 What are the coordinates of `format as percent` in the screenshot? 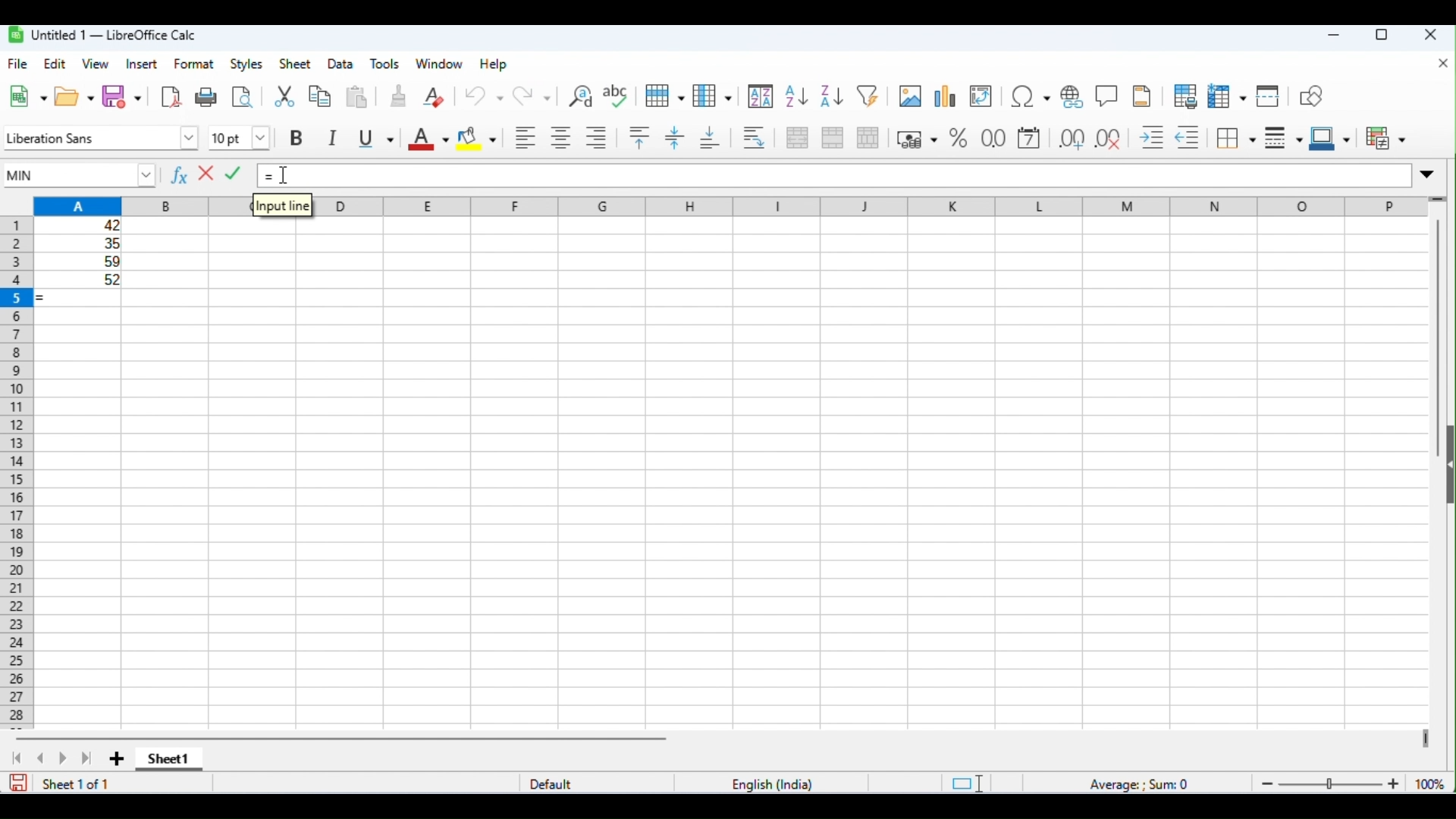 It's located at (957, 138).